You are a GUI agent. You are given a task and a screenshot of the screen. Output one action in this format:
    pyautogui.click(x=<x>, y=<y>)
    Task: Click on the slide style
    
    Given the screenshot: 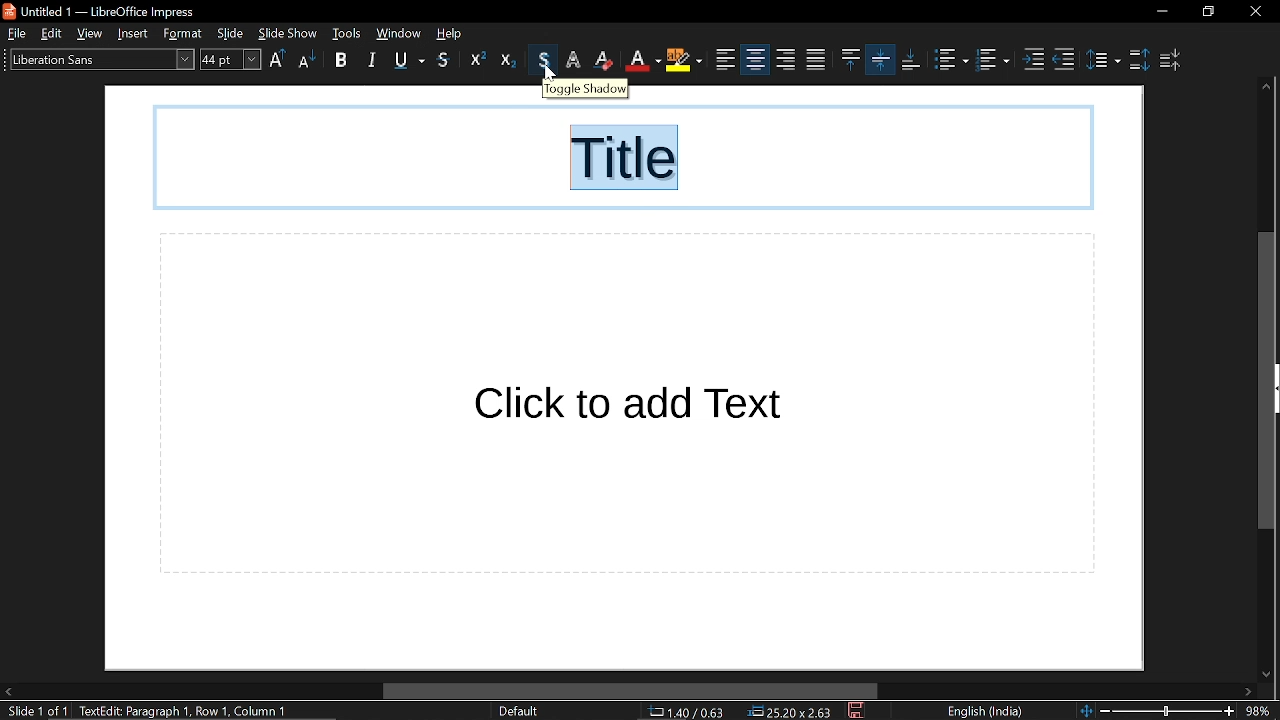 What is the action you would take?
    pyautogui.click(x=518, y=711)
    